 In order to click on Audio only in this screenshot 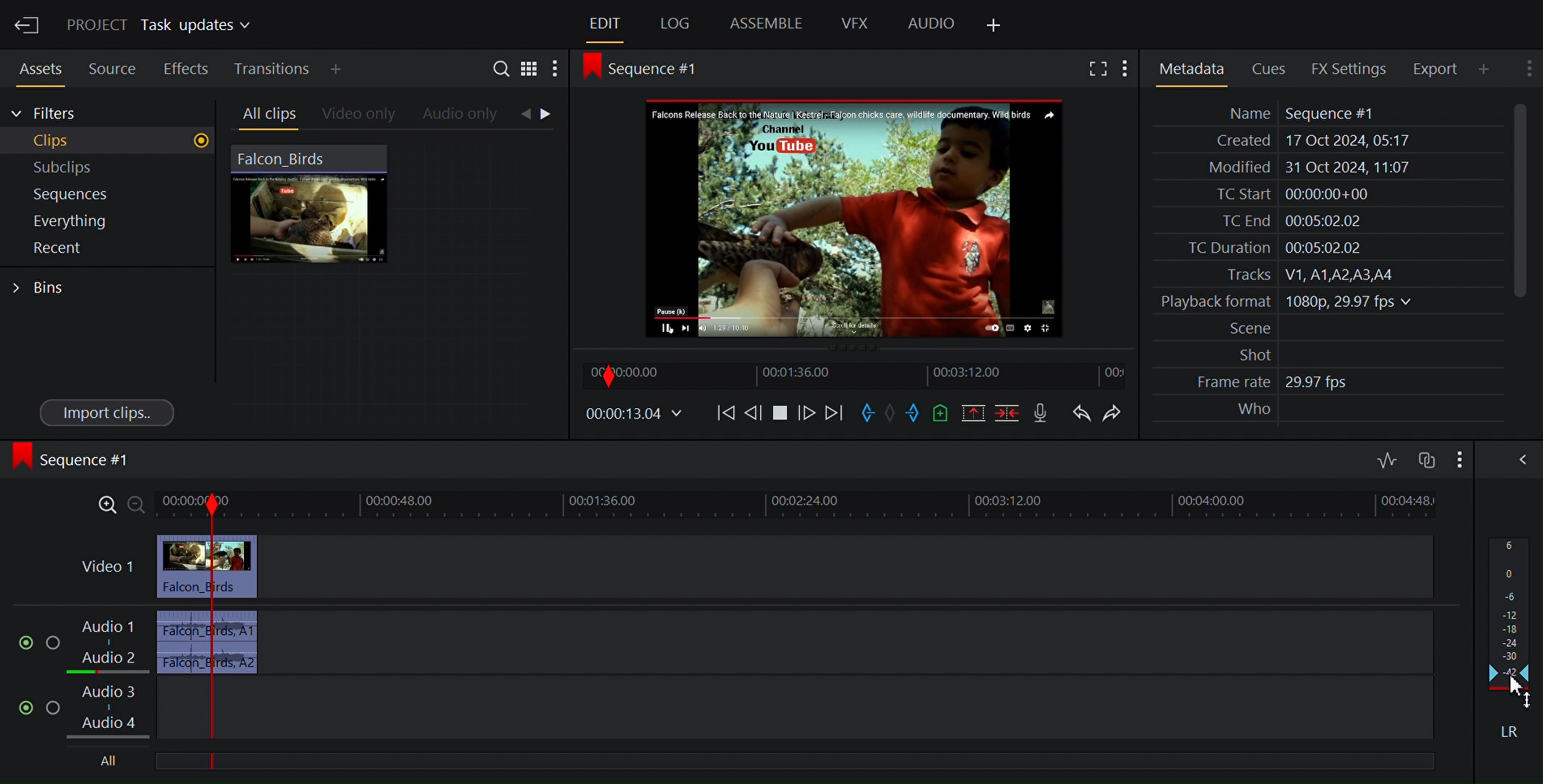, I will do `click(464, 115)`.